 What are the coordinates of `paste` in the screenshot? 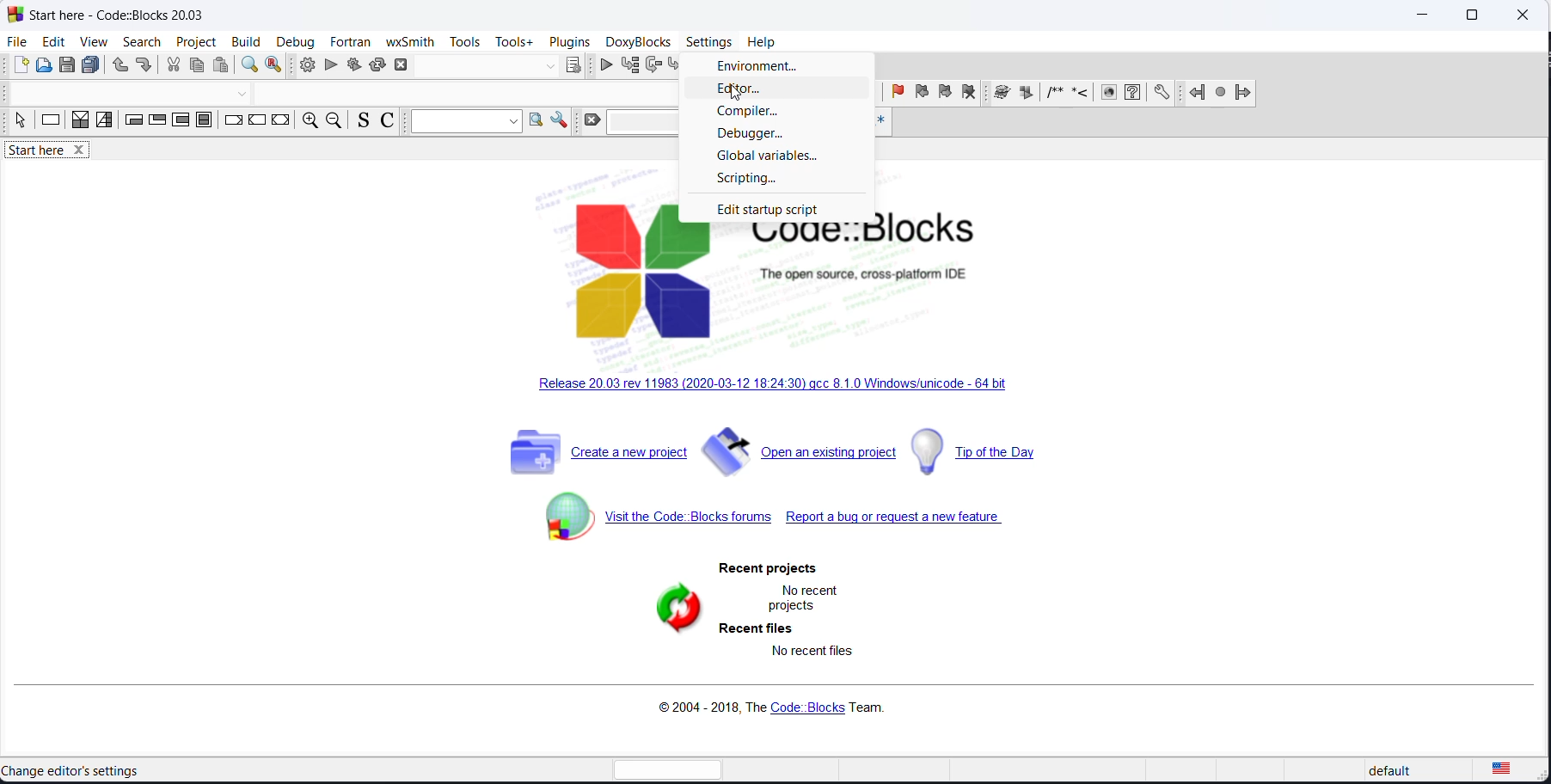 It's located at (222, 66).